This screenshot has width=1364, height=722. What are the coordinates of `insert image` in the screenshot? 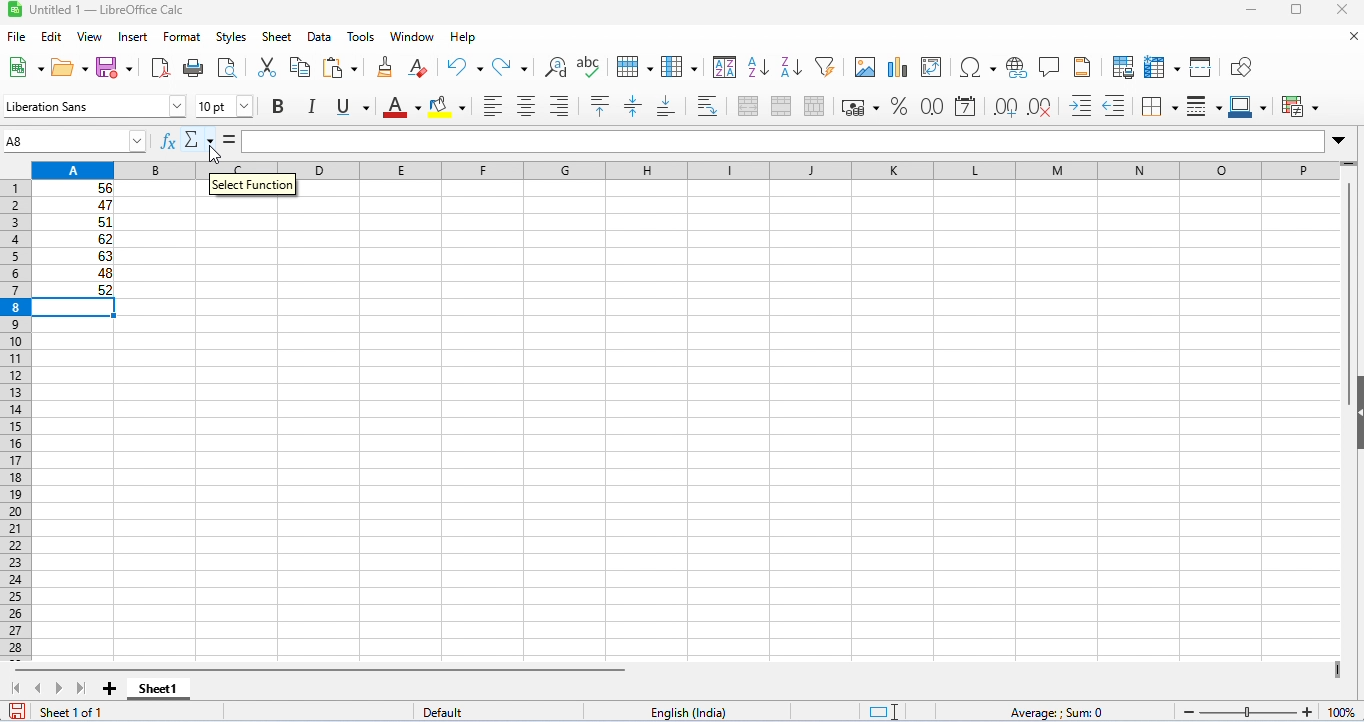 It's located at (864, 67).